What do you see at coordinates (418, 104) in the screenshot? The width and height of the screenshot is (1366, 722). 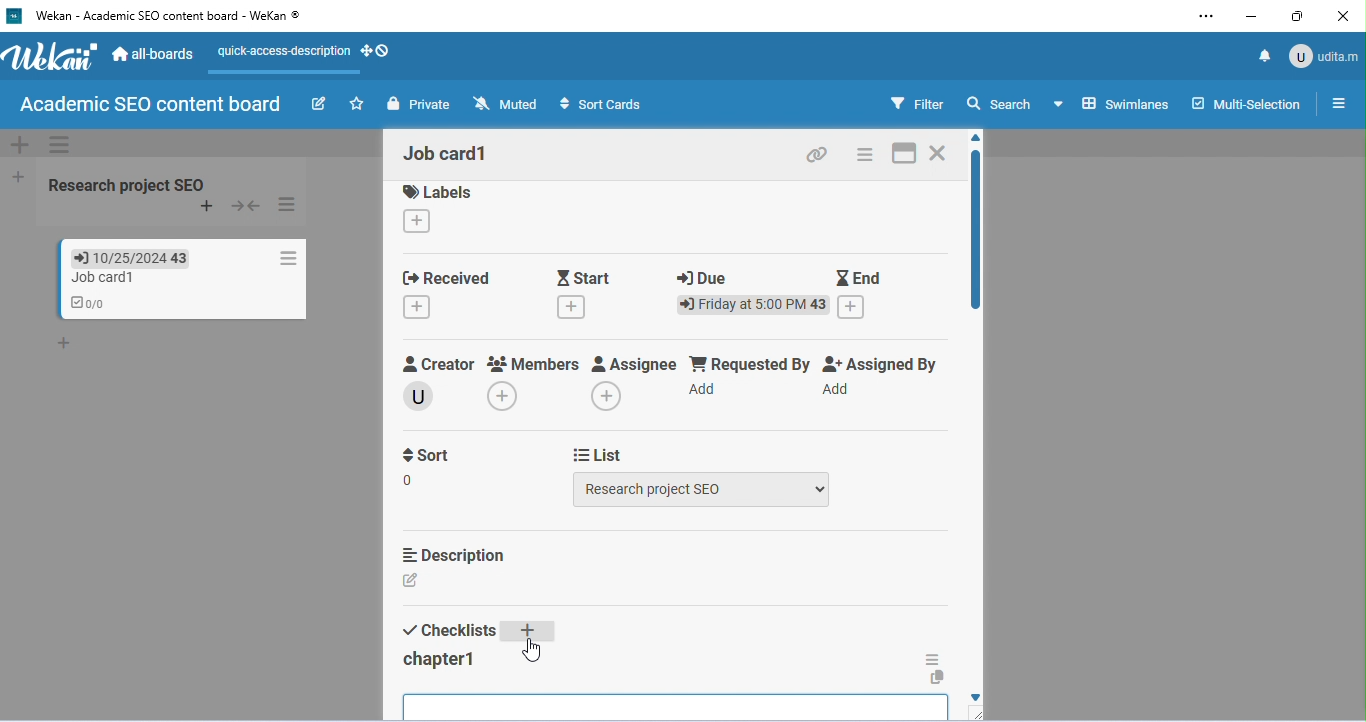 I see `private` at bounding box center [418, 104].